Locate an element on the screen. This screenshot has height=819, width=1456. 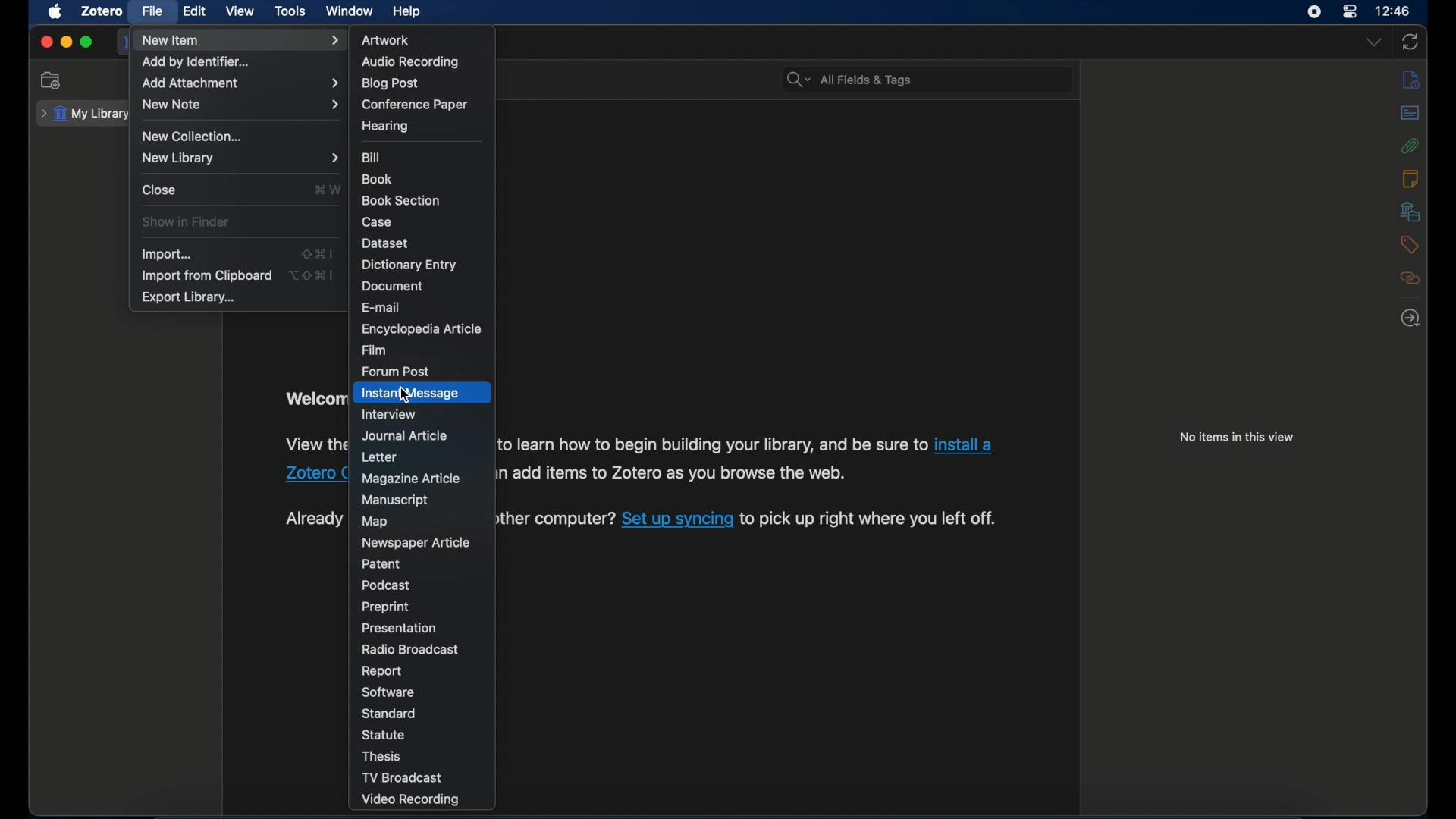
case is located at coordinates (377, 221).